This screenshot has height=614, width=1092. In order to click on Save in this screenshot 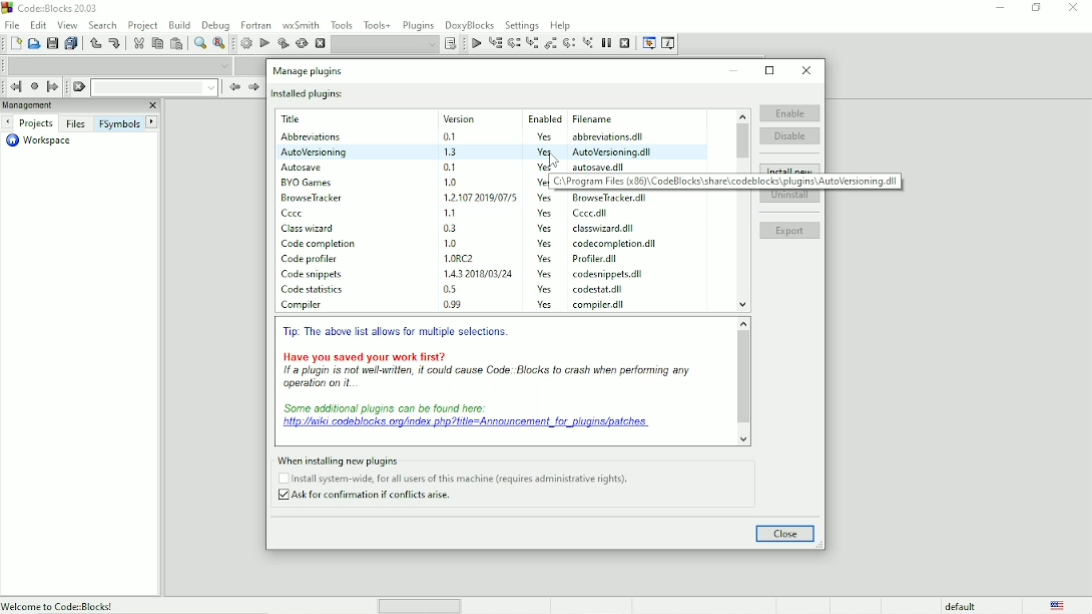, I will do `click(51, 44)`.